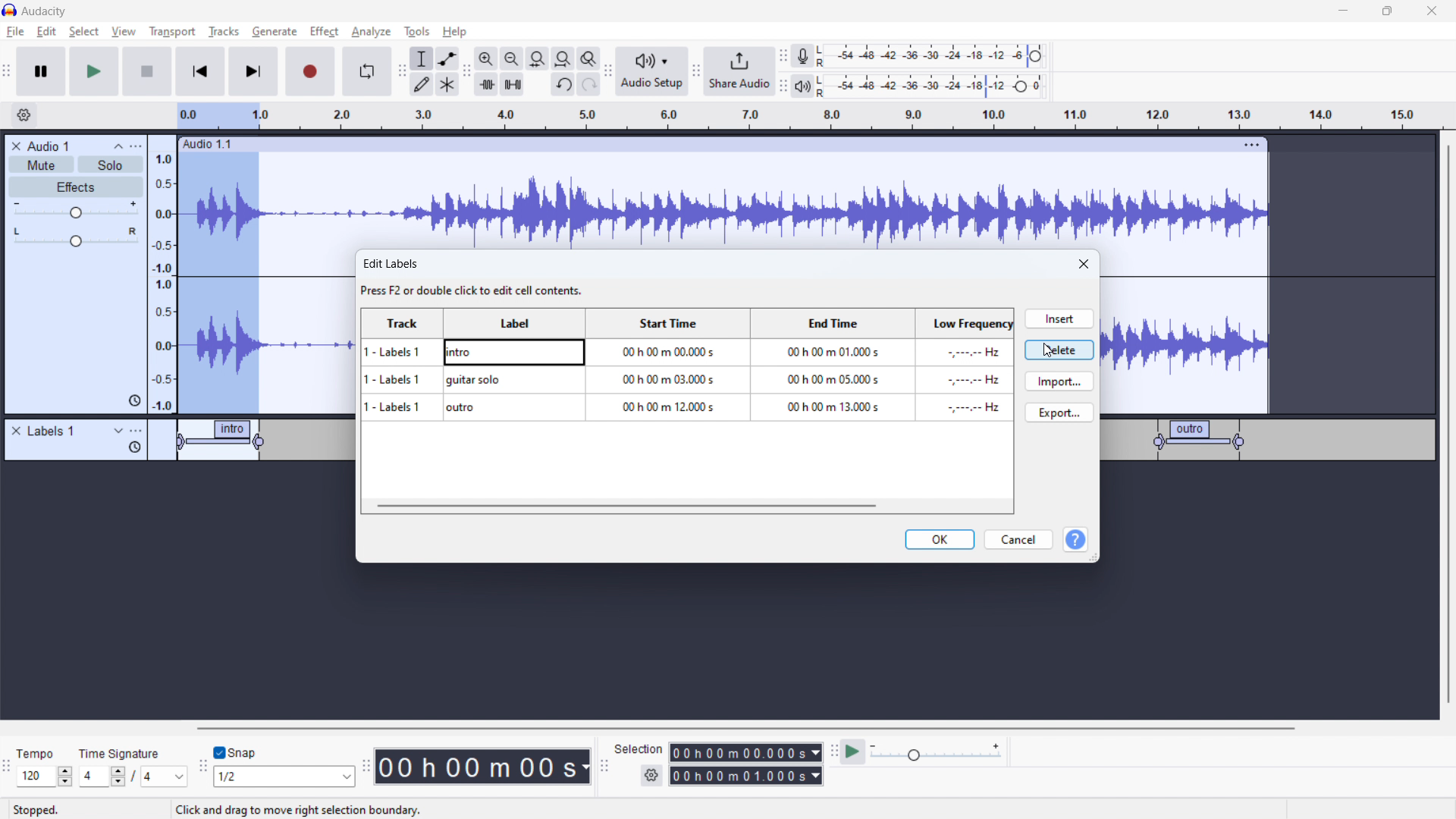  I want to click on play at speed toolbar, so click(833, 753).